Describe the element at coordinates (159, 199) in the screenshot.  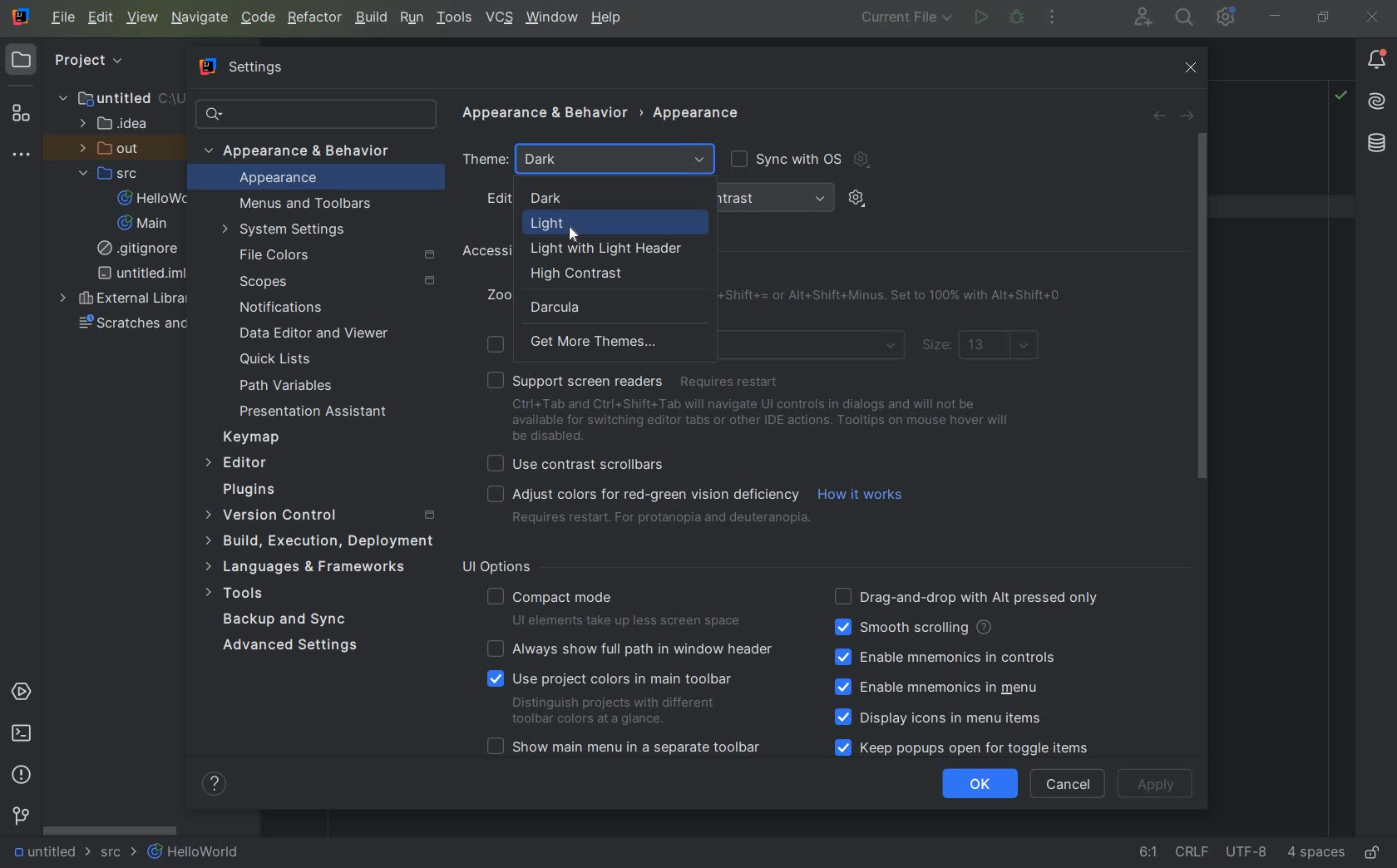
I see `HELLOWORLD` at that location.